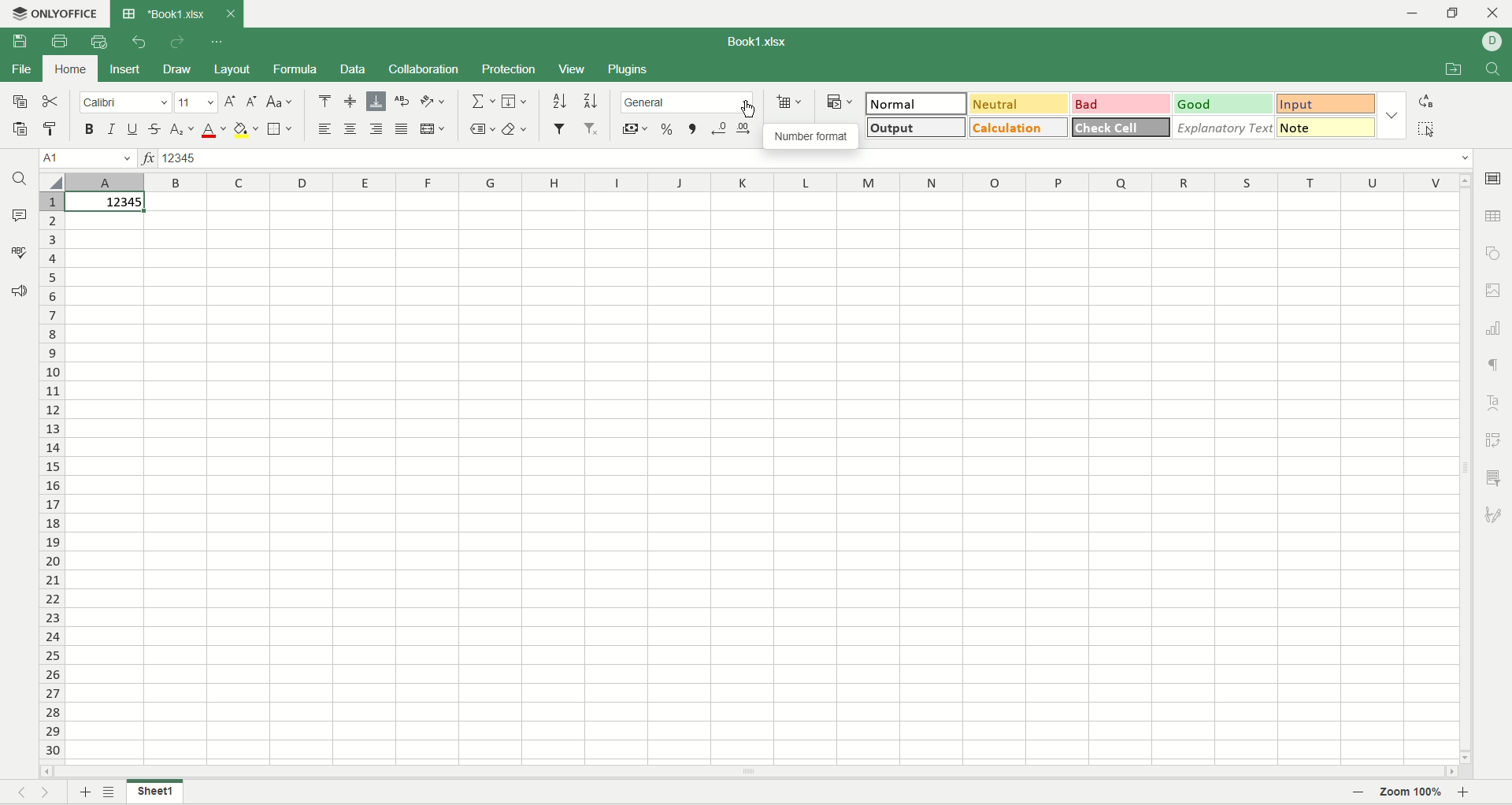 The image size is (1512, 805). What do you see at coordinates (18, 180) in the screenshot?
I see `find` at bounding box center [18, 180].